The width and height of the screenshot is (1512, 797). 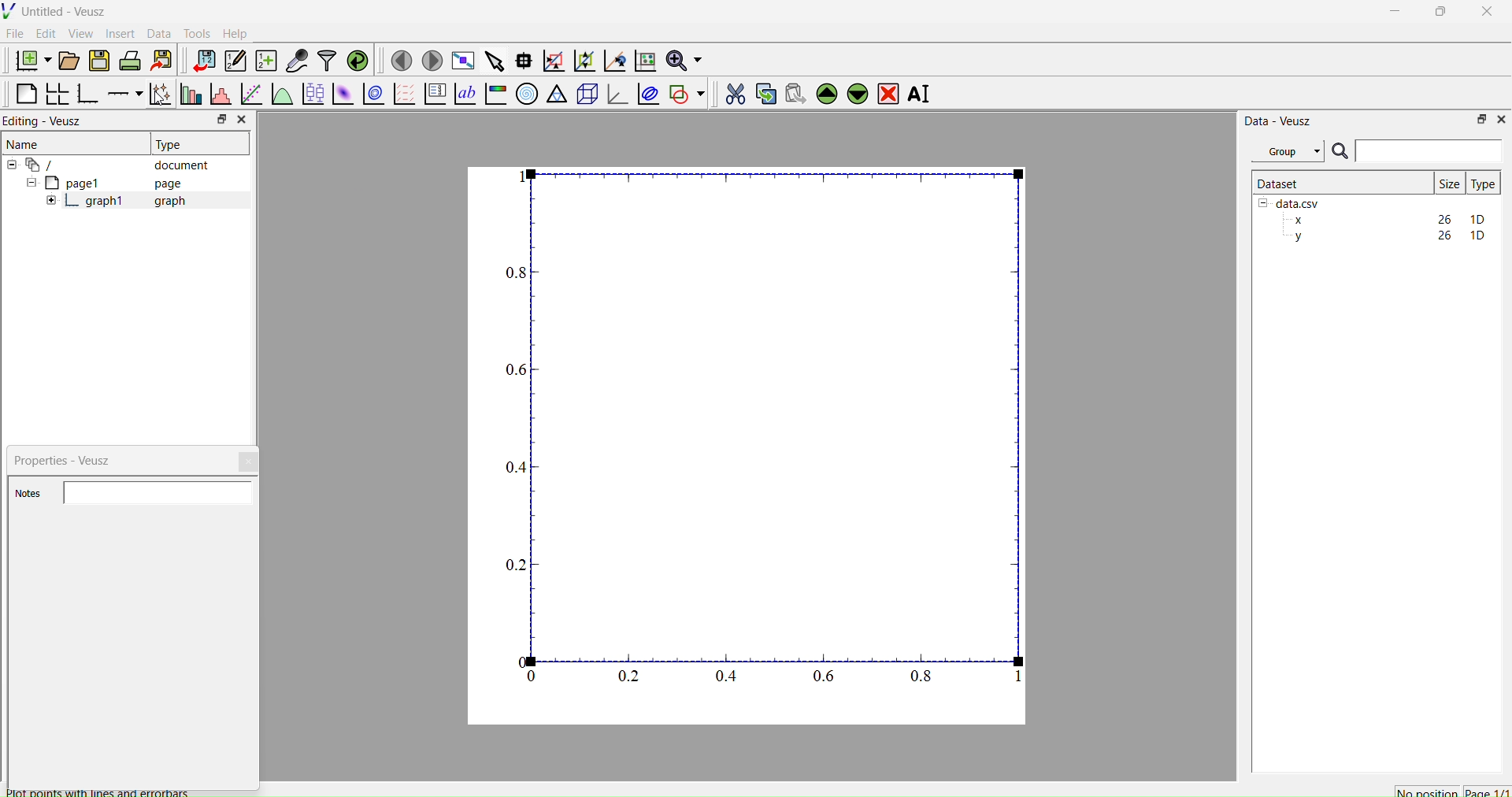 I want to click on data.csv, so click(x=1291, y=202).